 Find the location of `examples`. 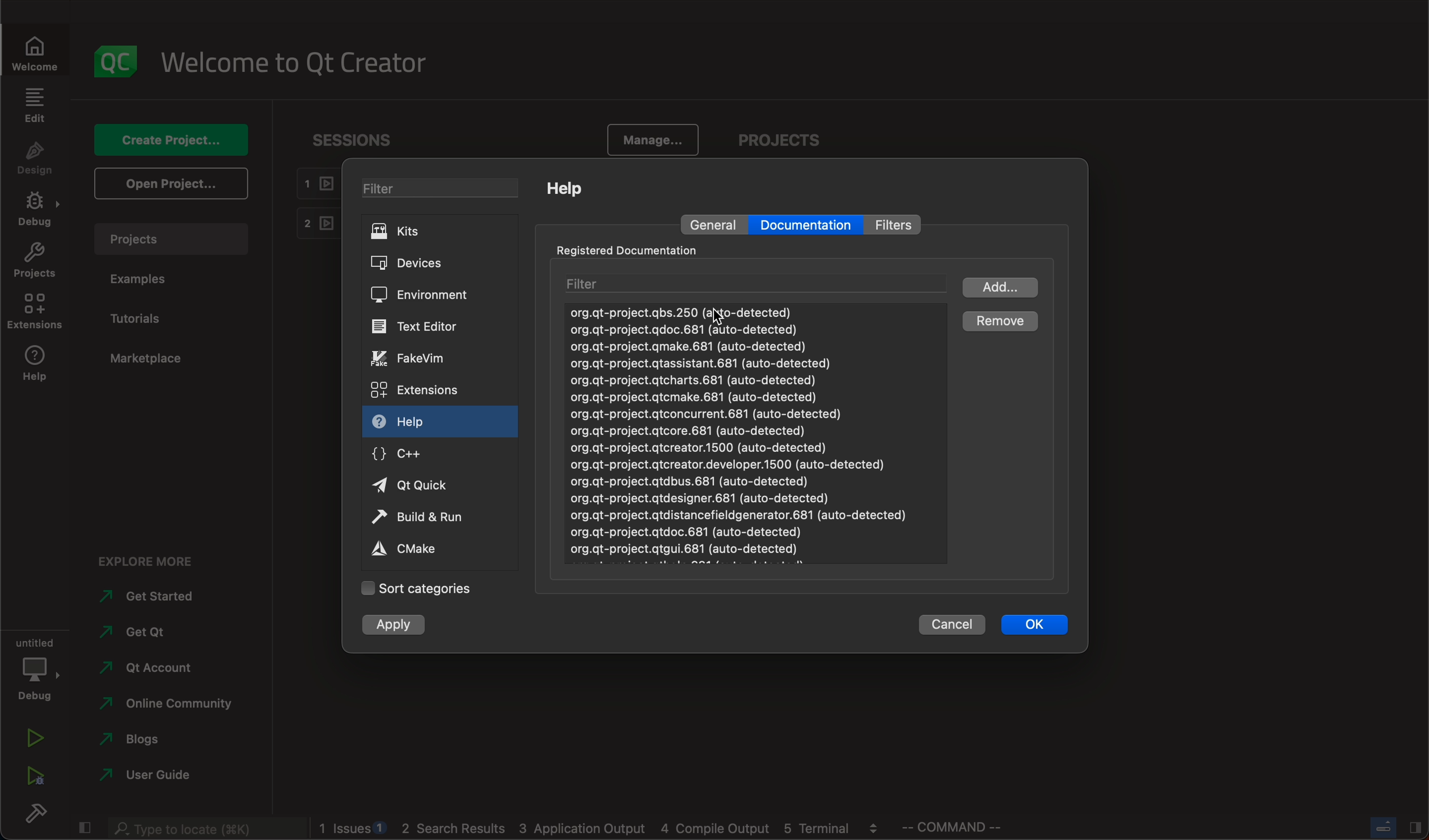

examples is located at coordinates (157, 285).